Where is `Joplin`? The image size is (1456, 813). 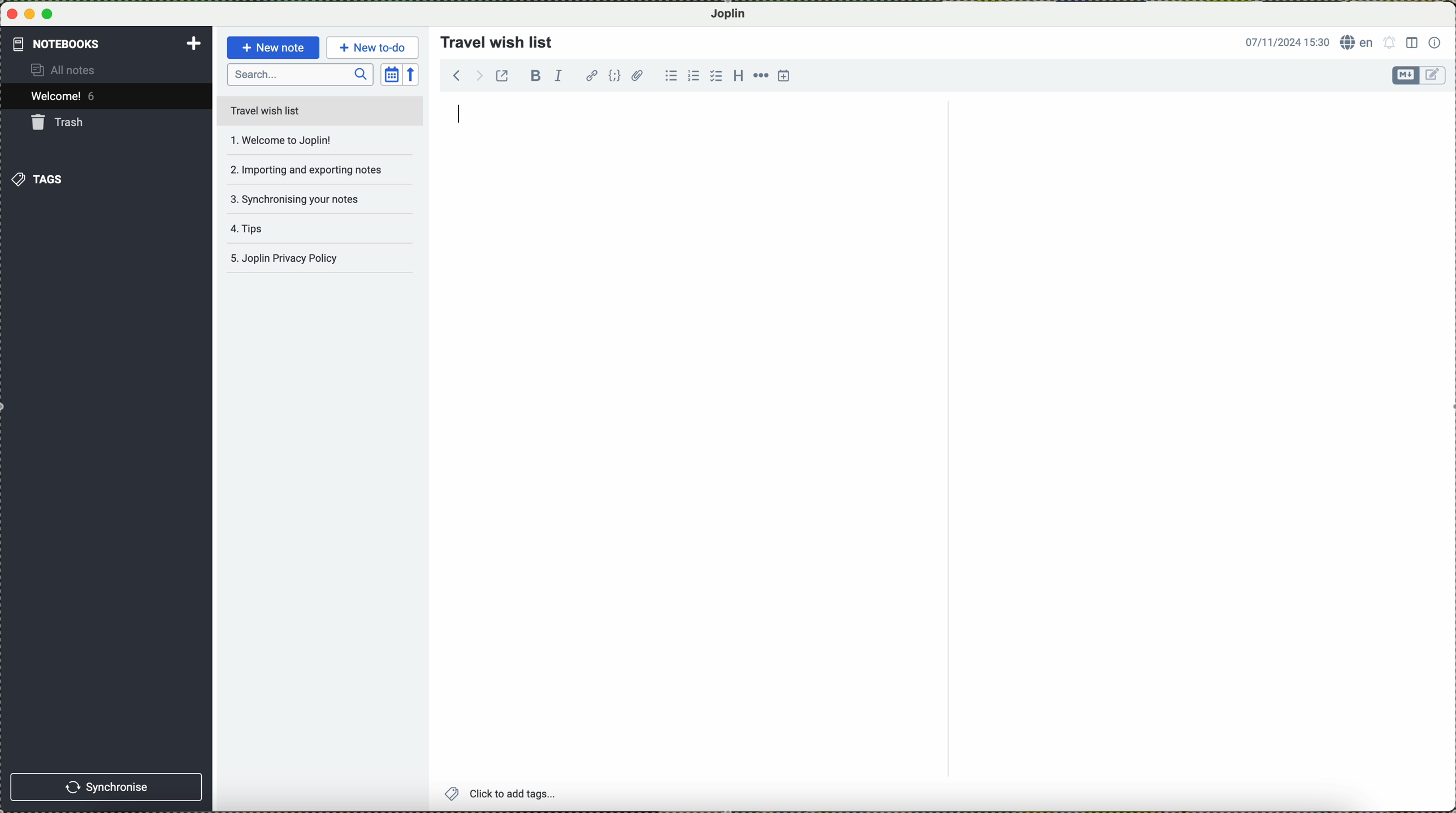 Joplin is located at coordinates (734, 13).